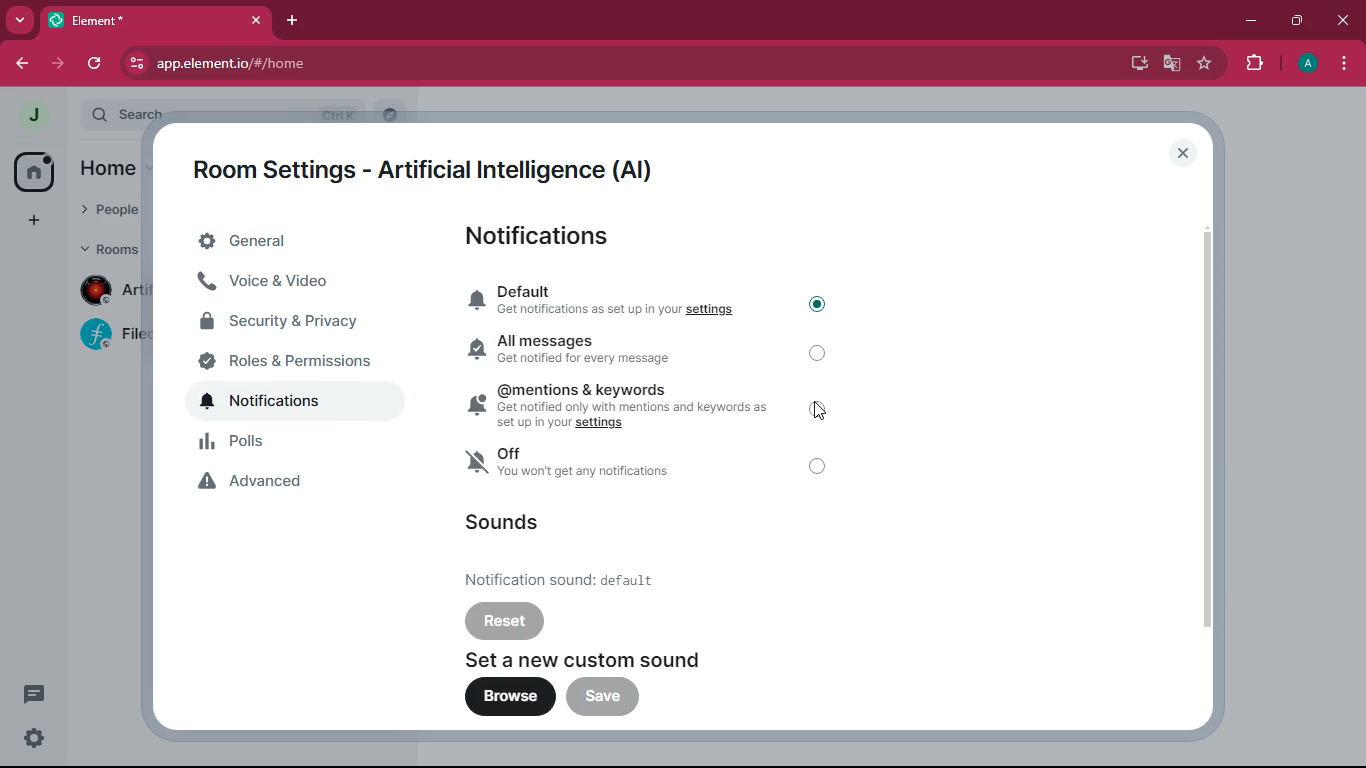 This screenshot has width=1366, height=768. What do you see at coordinates (21, 22) in the screenshot?
I see `more` at bounding box center [21, 22].